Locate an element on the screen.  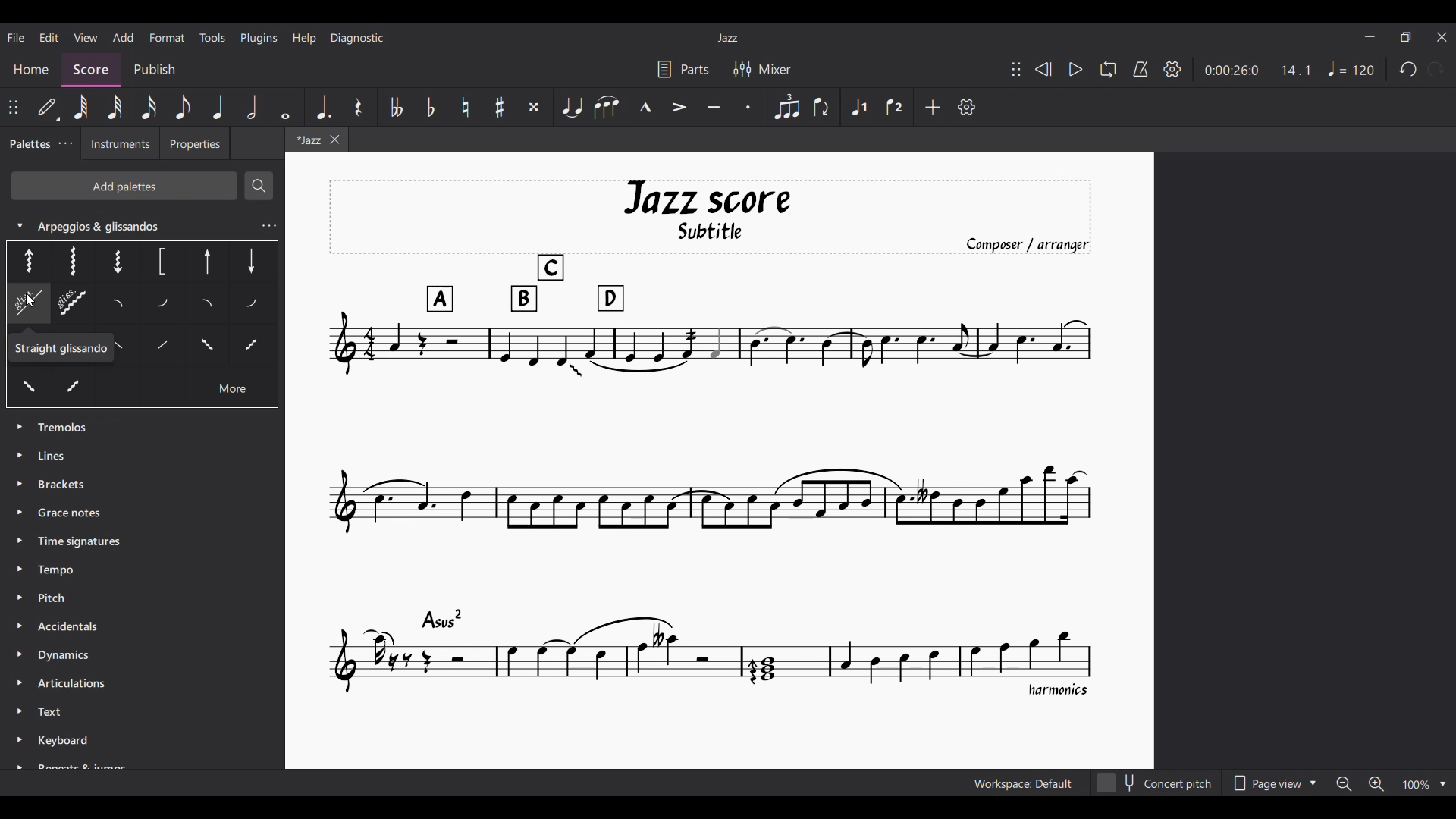
Voice 1 is located at coordinates (859, 106).